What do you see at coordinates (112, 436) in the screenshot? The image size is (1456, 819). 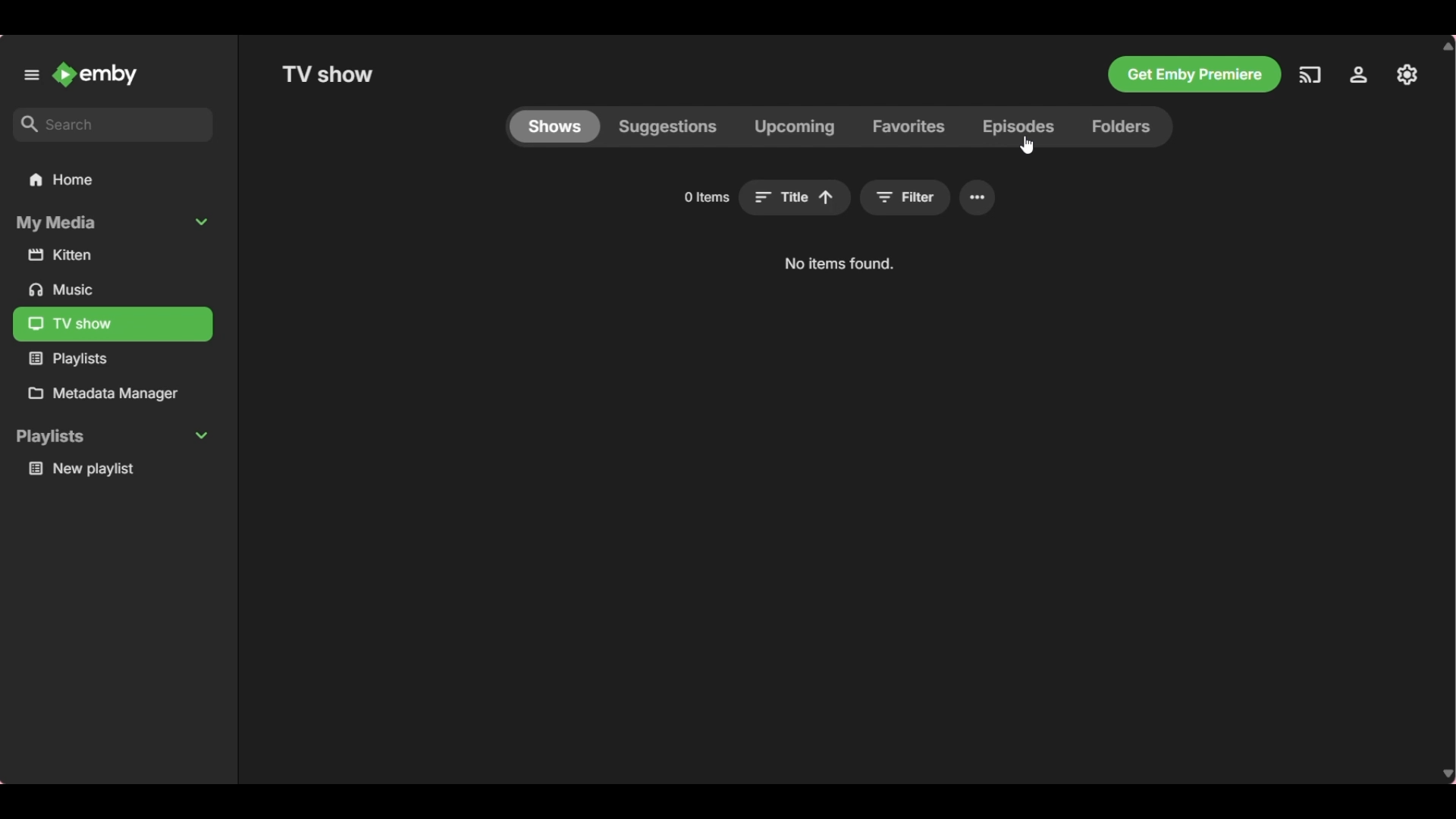 I see `Collapse Playlists` at bounding box center [112, 436].